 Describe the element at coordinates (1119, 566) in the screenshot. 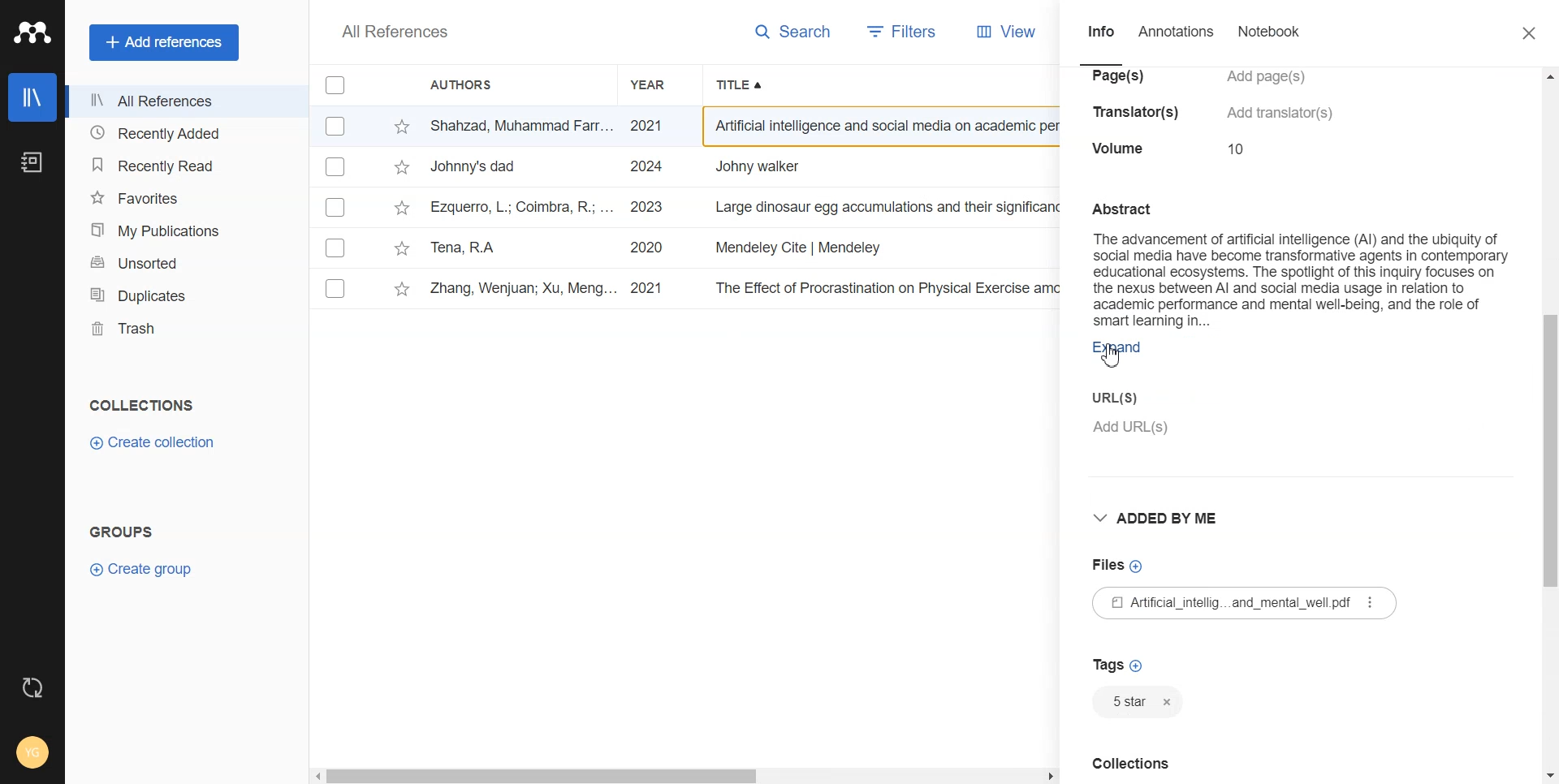

I see `Files` at that location.